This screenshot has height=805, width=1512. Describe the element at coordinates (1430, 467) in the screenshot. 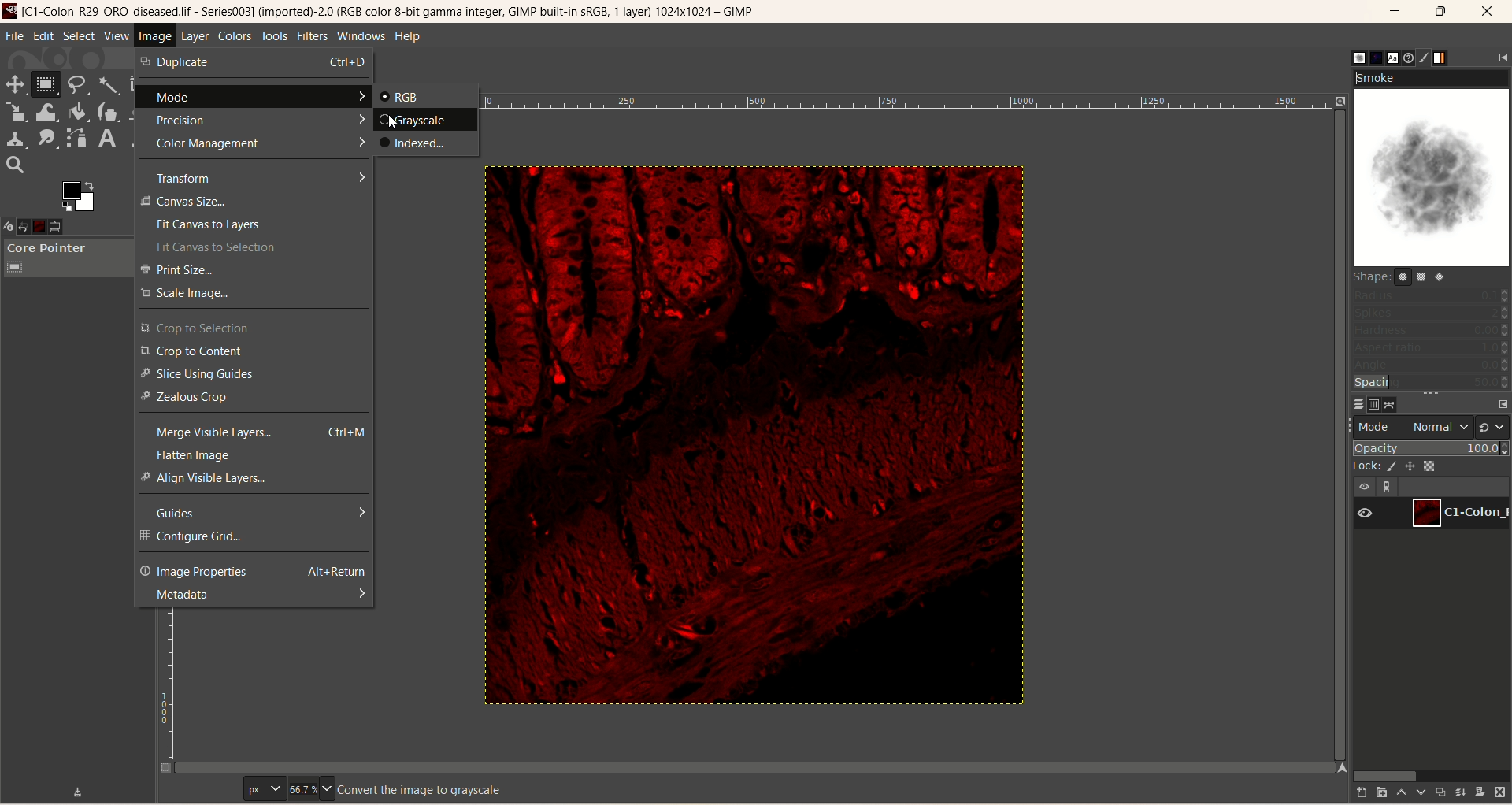

I see `lock alpha channel` at that location.